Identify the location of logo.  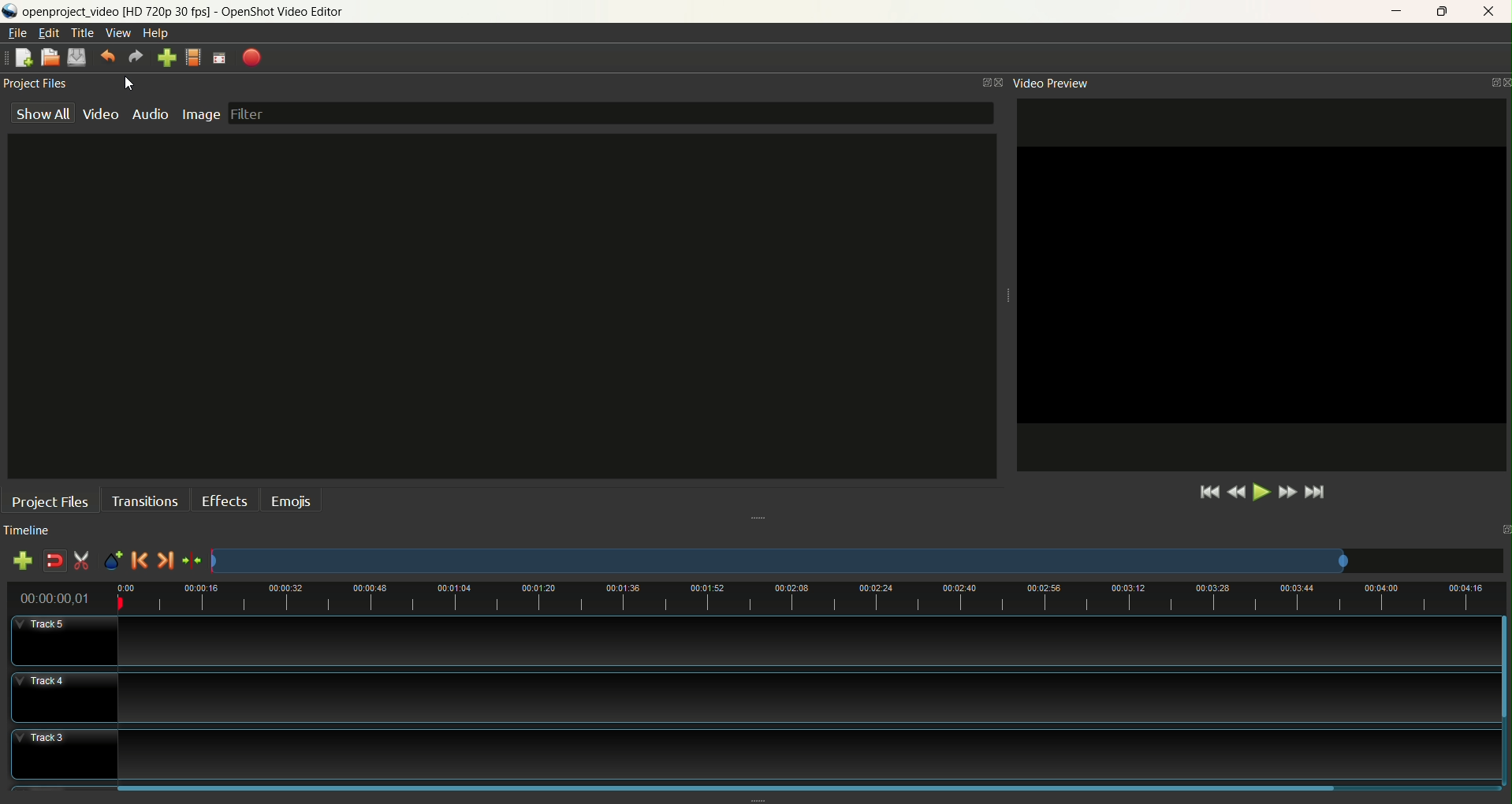
(10, 13).